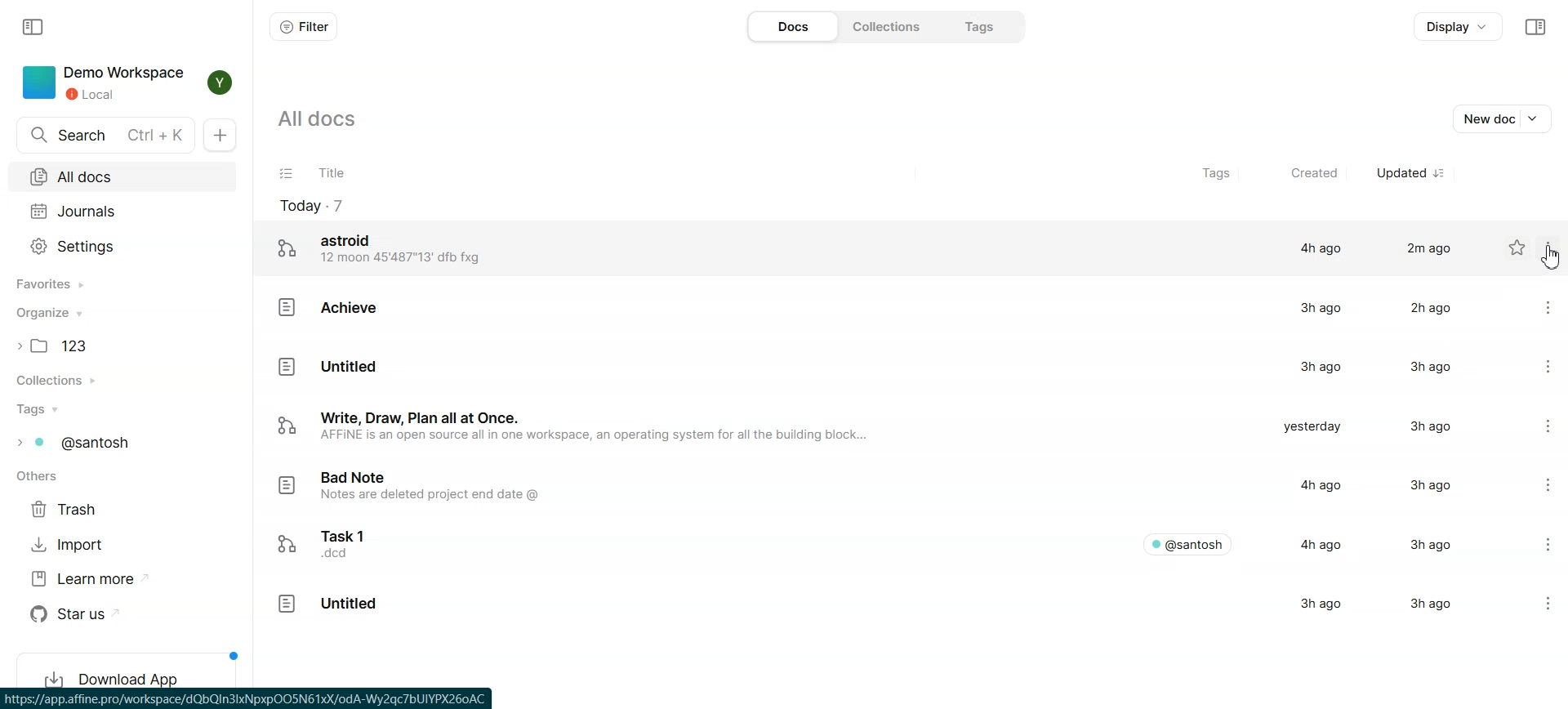 The height and width of the screenshot is (709, 1568). I want to click on Task 1
no, so click(336, 544).